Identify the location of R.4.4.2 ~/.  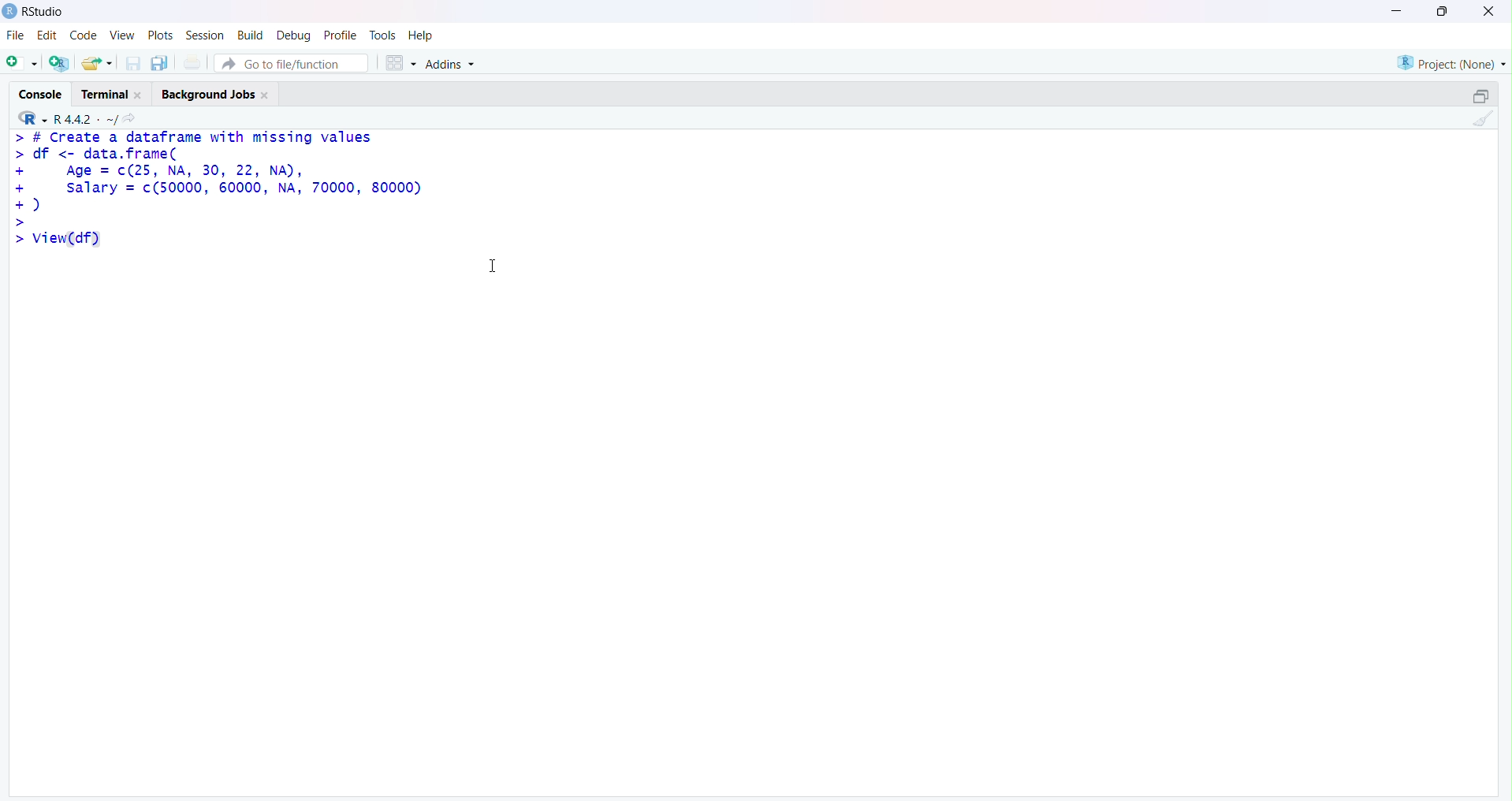
(85, 116).